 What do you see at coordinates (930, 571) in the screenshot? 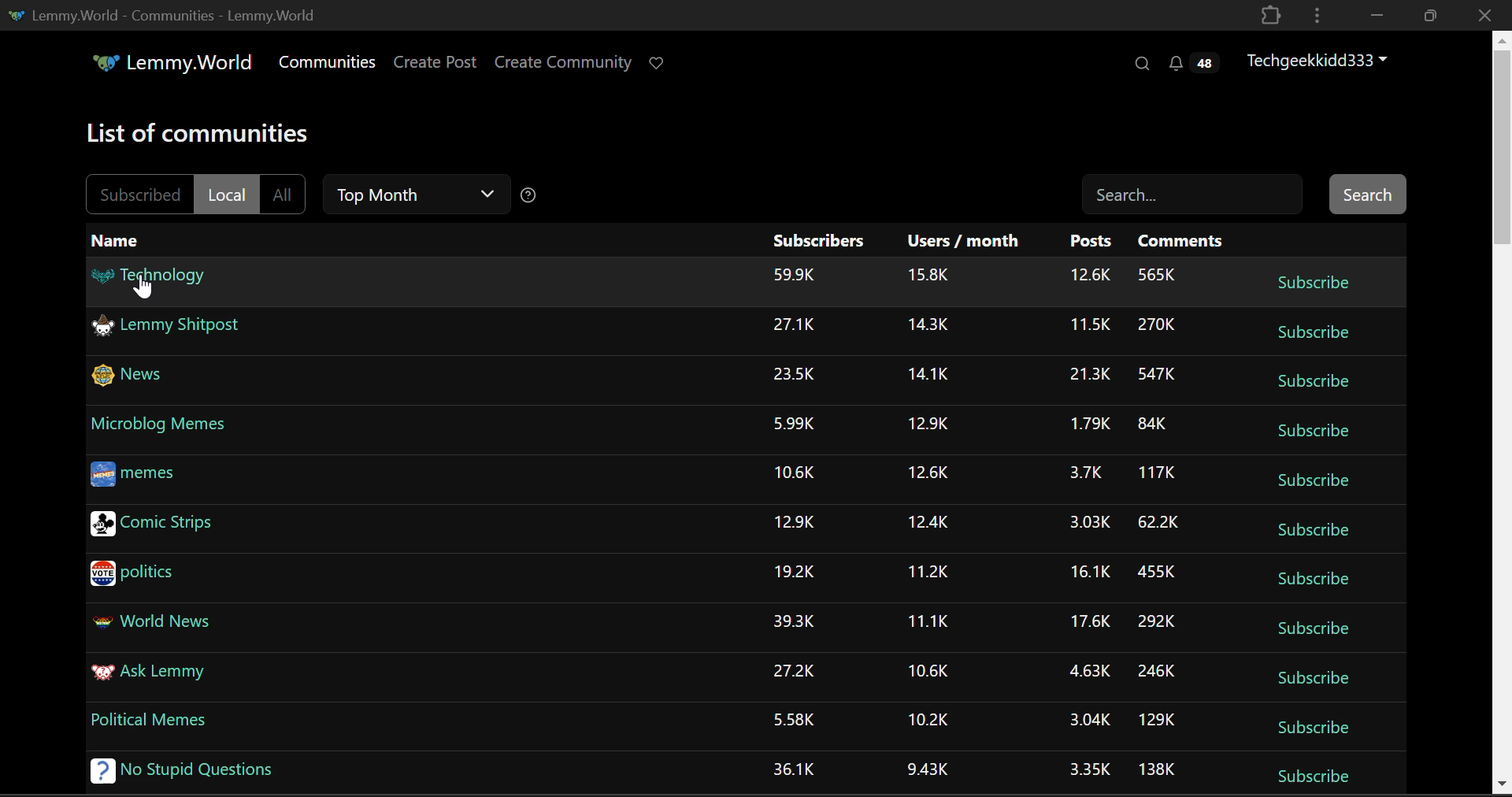
I see `Amount` at bounding box center [930, 571].